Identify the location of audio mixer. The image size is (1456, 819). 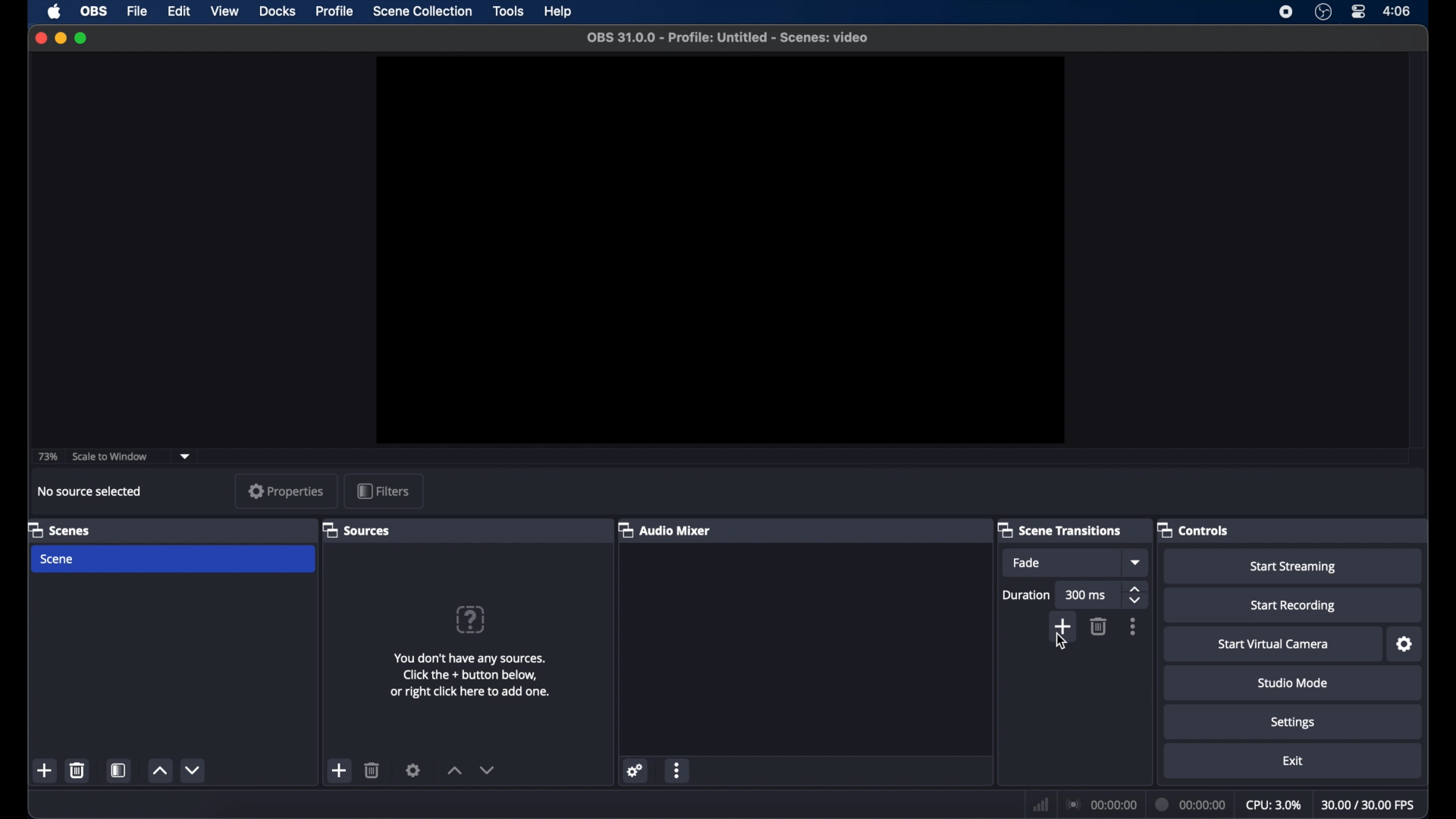
(668, 531).